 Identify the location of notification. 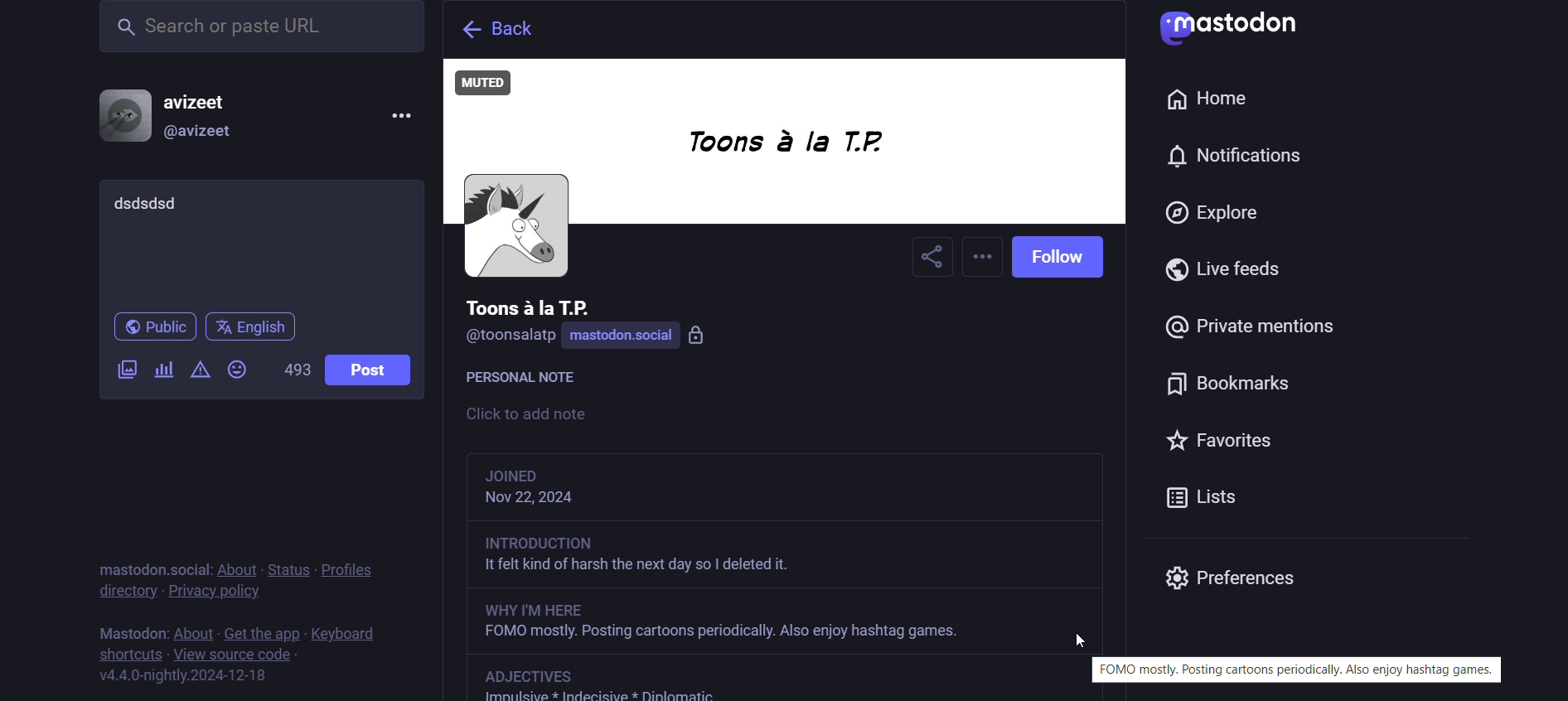
(1228, 162).